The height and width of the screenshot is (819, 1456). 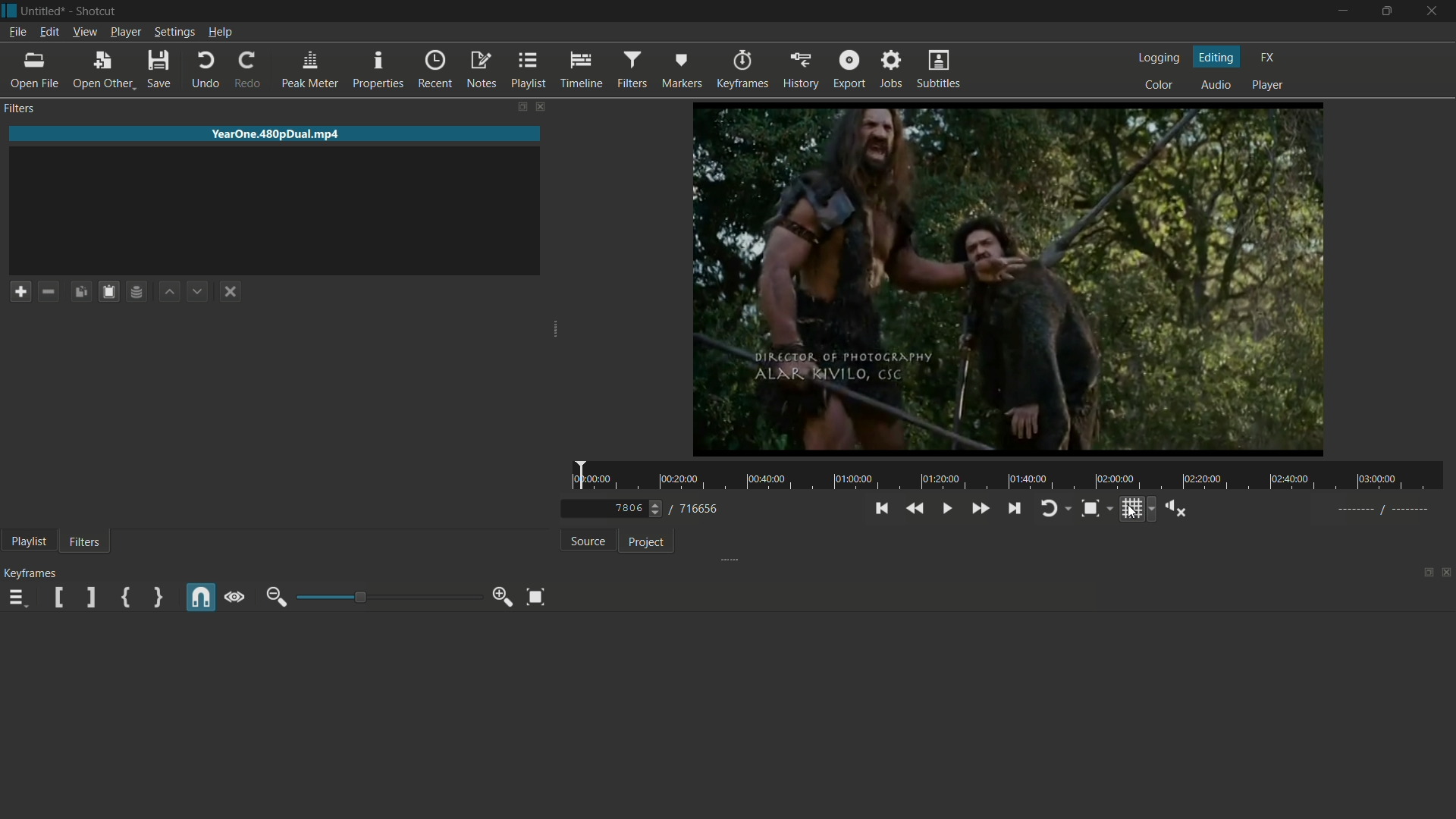 I want to click on export, so click(x=849, y=70).